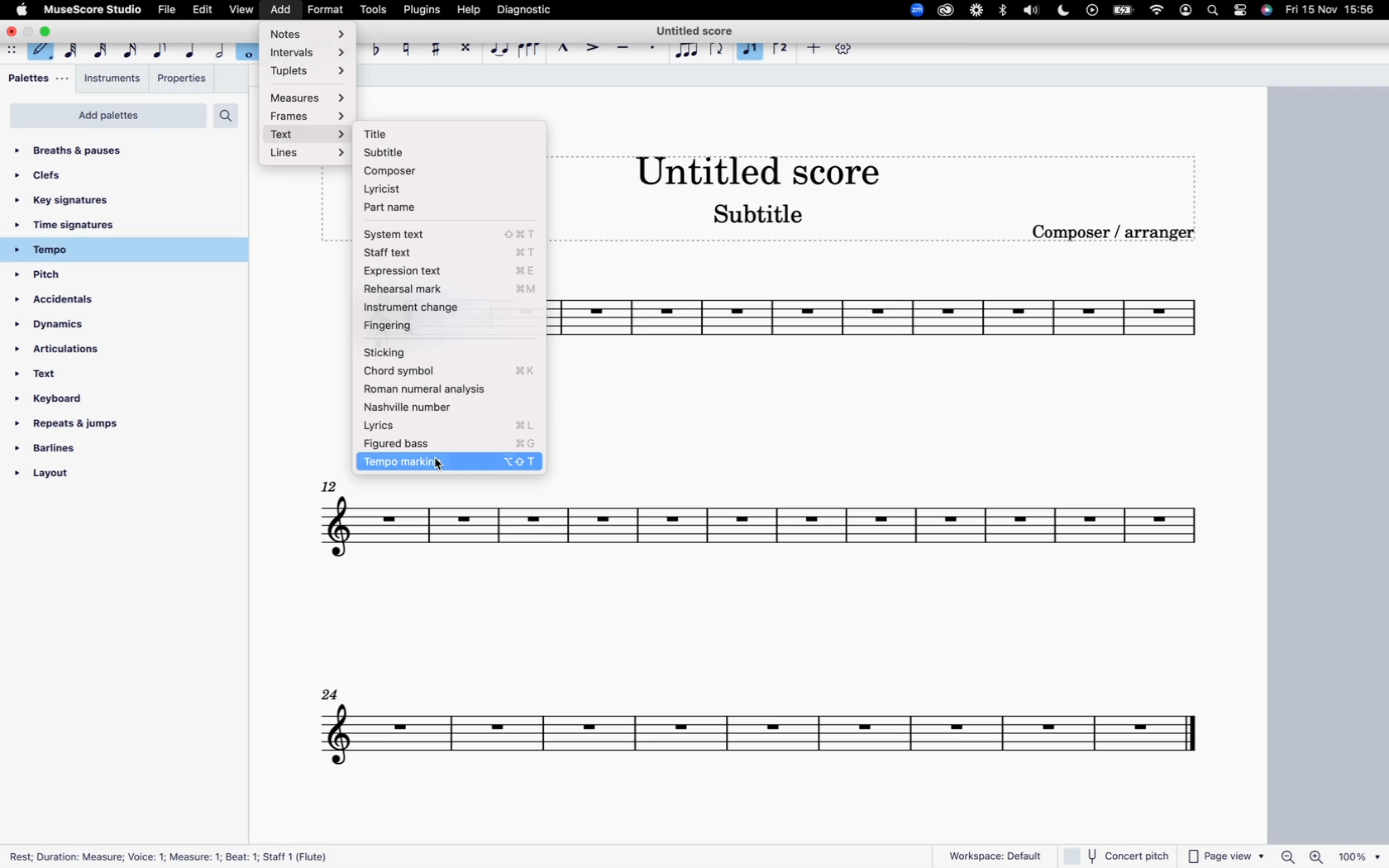  Describe the element at coordinates (466, 9) in the screenshot. I see `help` at that location.